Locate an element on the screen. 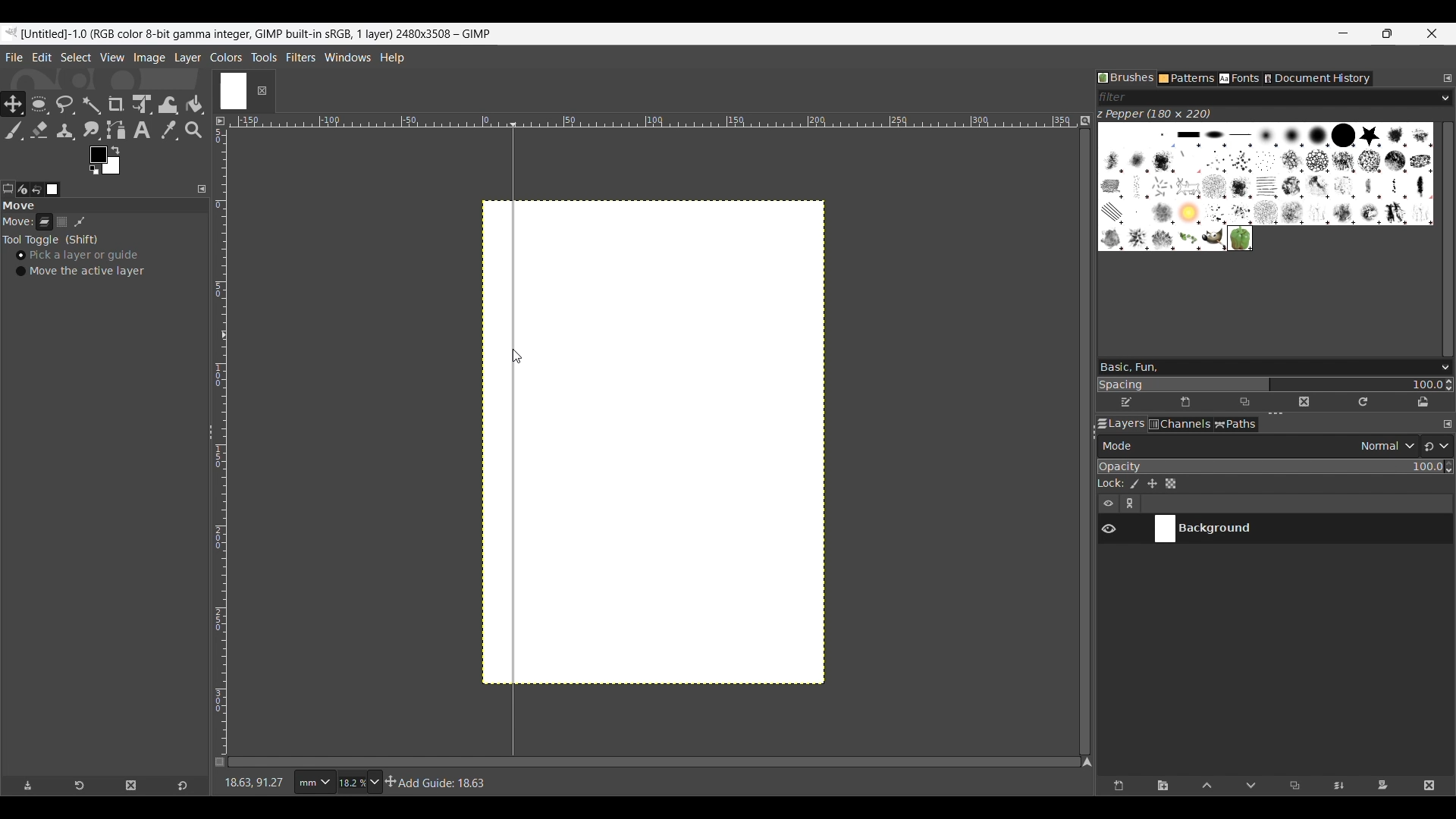 The width and height of the screenshot is (1456, 819). Merge layer with first visible layer below it is located at coordinates (1338, 786).